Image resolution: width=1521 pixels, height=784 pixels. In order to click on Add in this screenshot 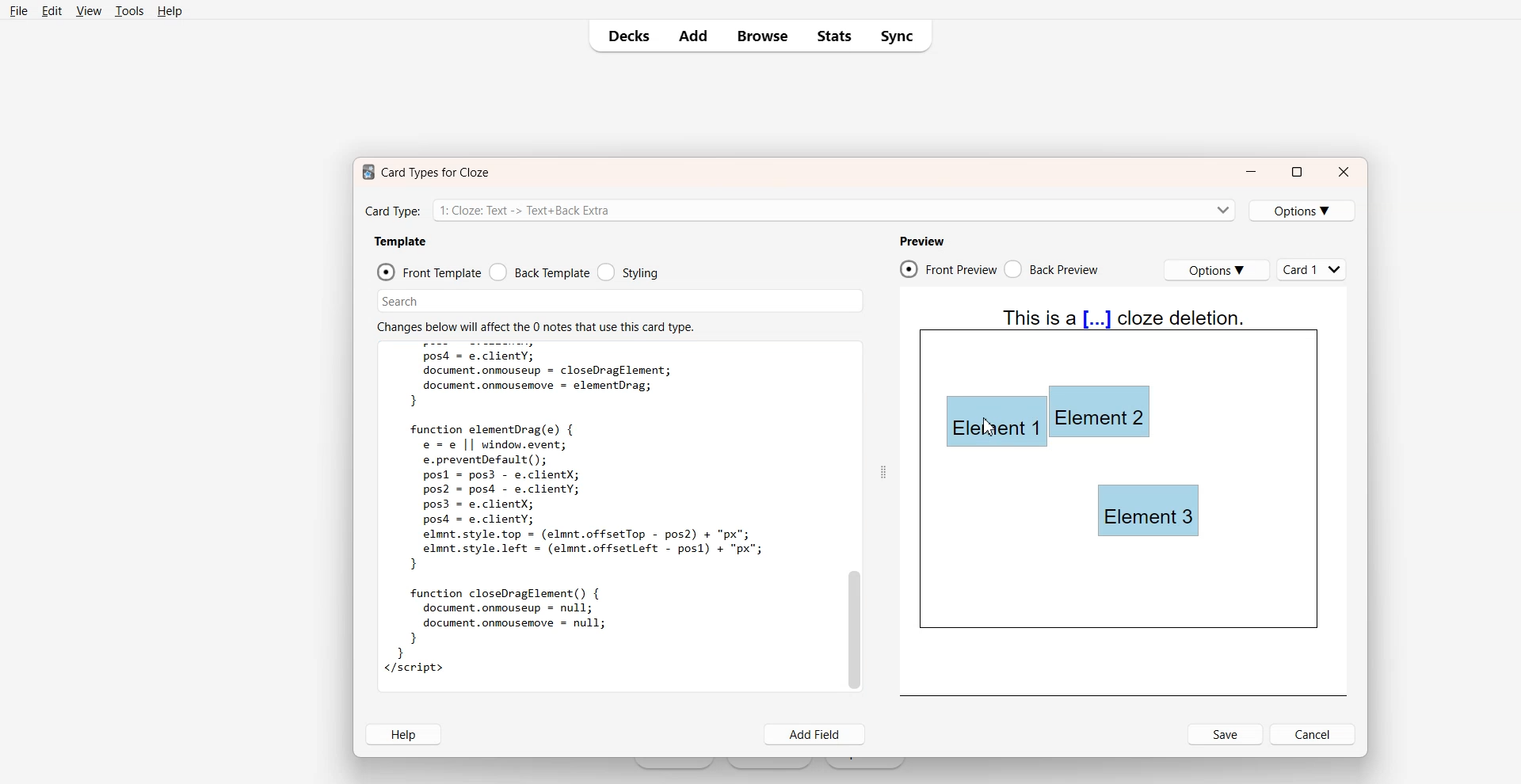, I will do `click(692, 36)`.